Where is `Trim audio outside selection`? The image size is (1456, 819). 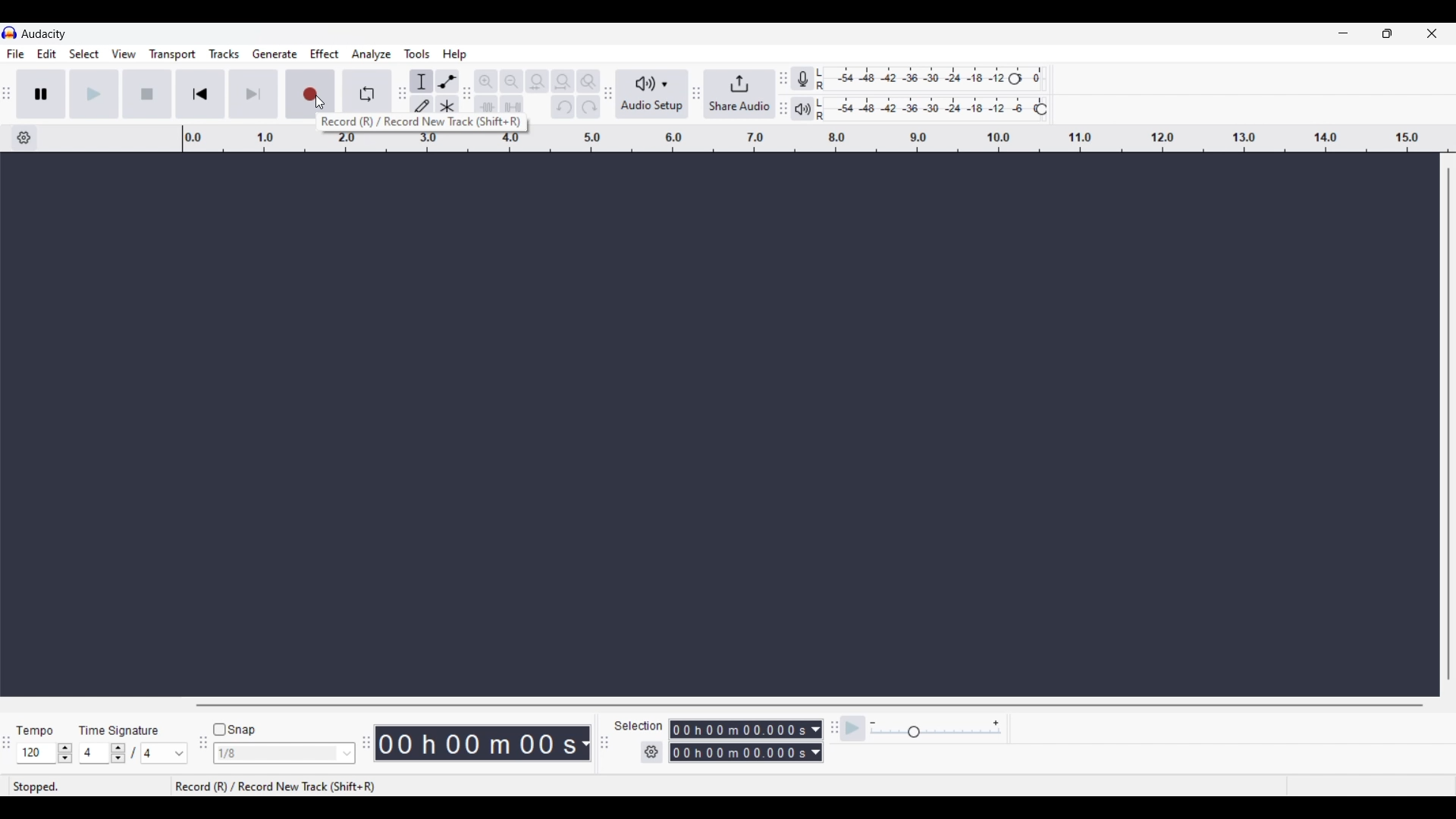 Trim audio outside selection is located at coordinates (485, 107).